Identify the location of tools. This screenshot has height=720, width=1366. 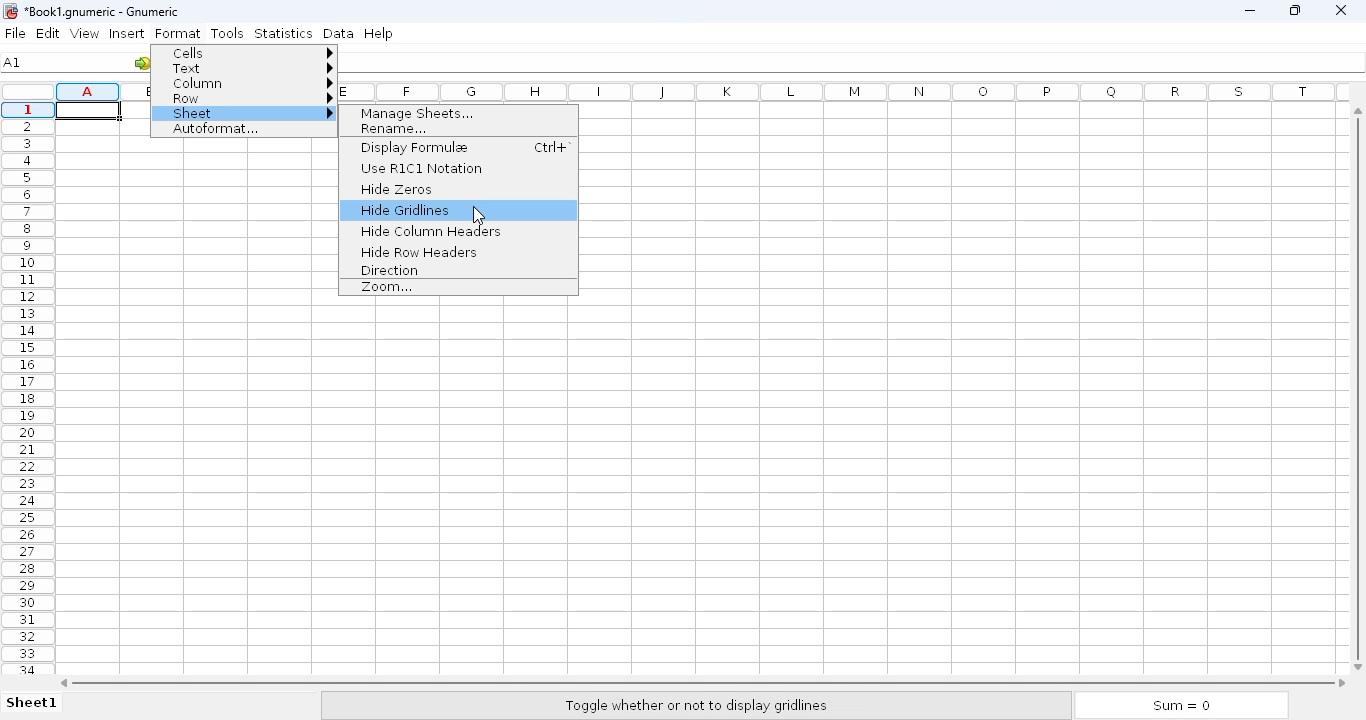
(228, 33).